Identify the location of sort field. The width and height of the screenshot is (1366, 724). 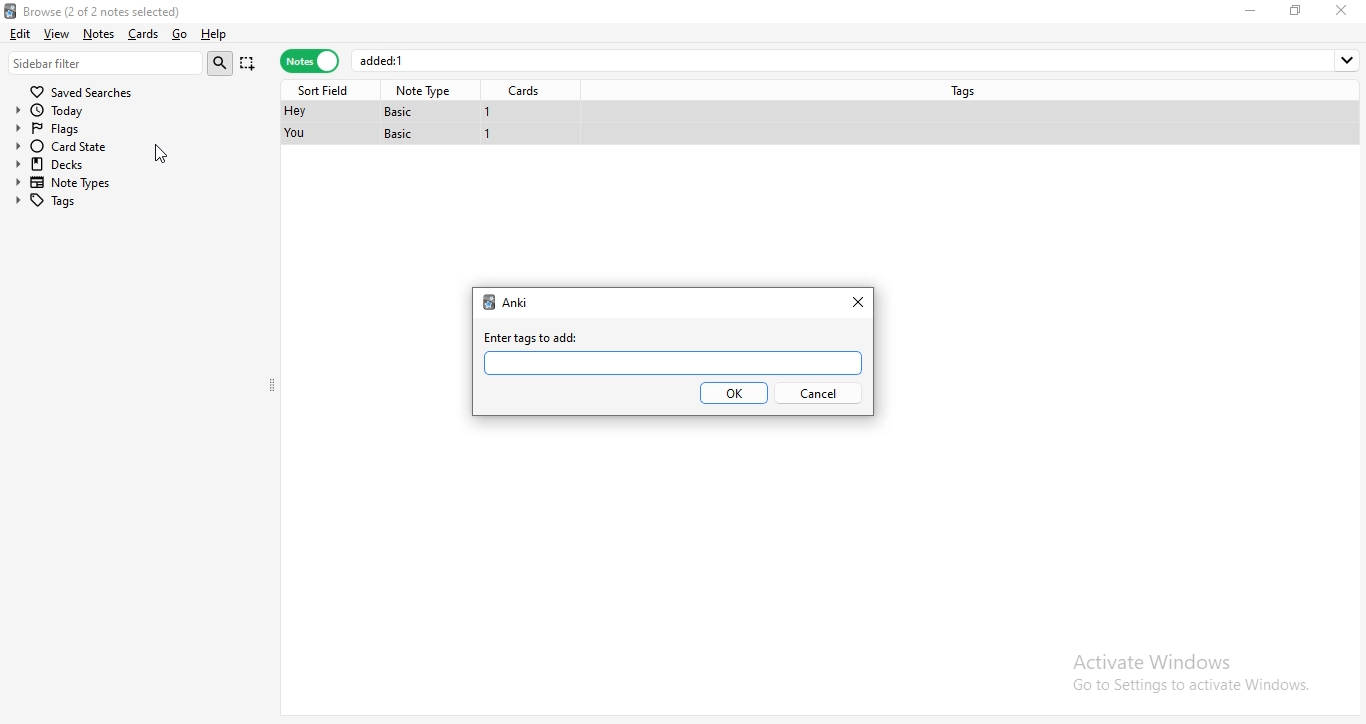
(327, 89).